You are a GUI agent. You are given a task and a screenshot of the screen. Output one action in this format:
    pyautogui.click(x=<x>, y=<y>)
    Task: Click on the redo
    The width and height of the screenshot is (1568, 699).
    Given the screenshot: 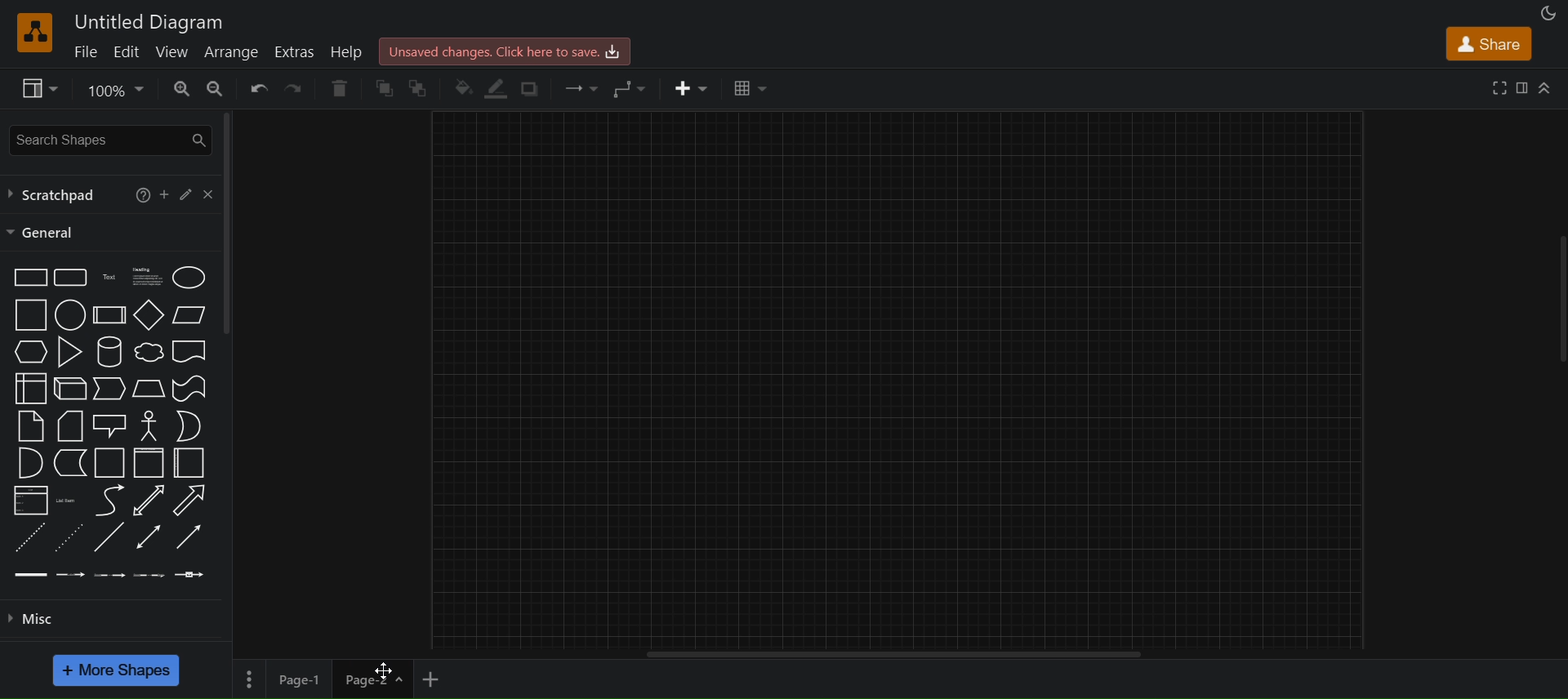 What is the action you would take?
    pyautogui.click(x=292, y=88)
    